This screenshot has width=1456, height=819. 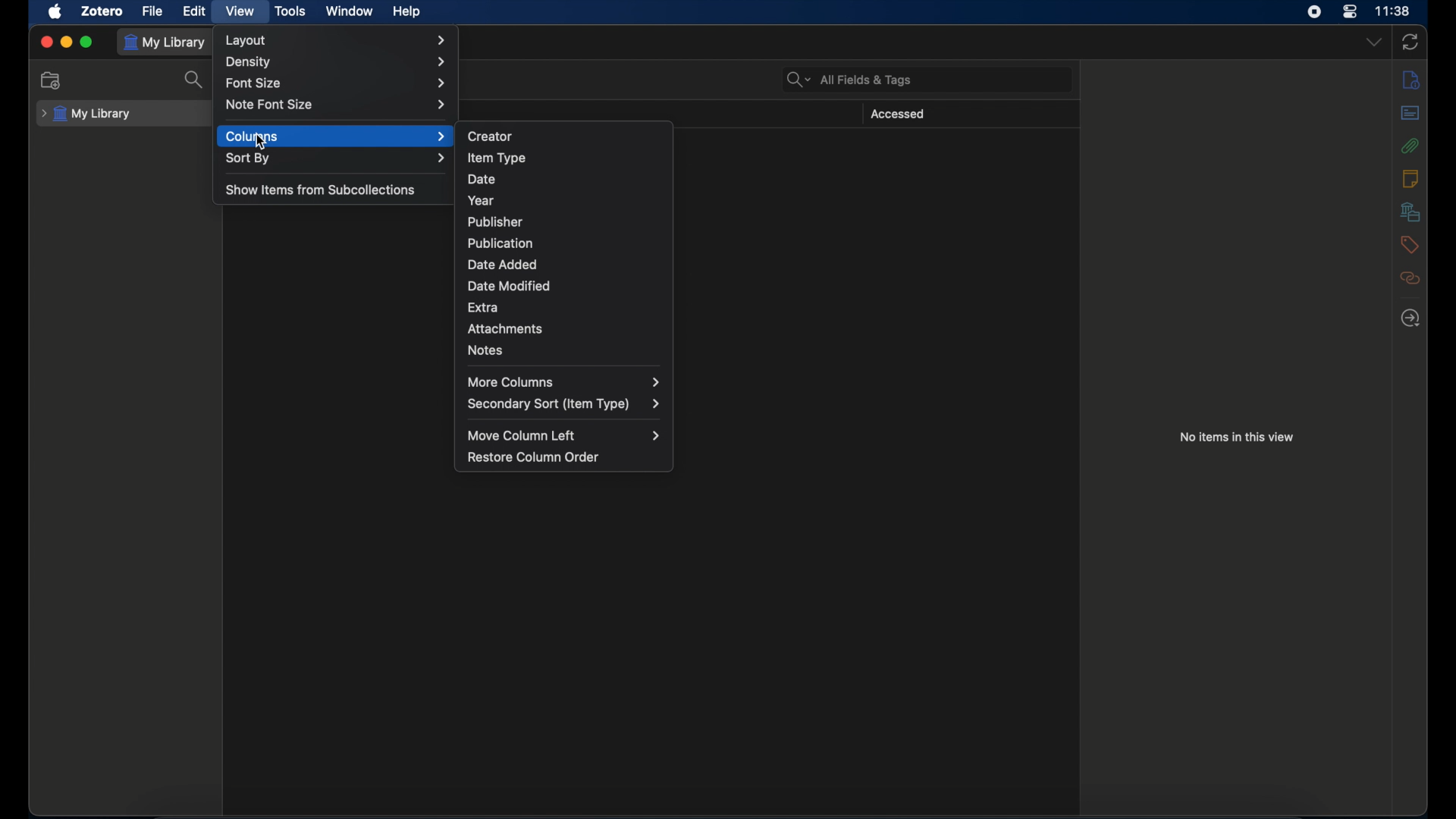 I want to click on accessed, so click(x=897, y=115).